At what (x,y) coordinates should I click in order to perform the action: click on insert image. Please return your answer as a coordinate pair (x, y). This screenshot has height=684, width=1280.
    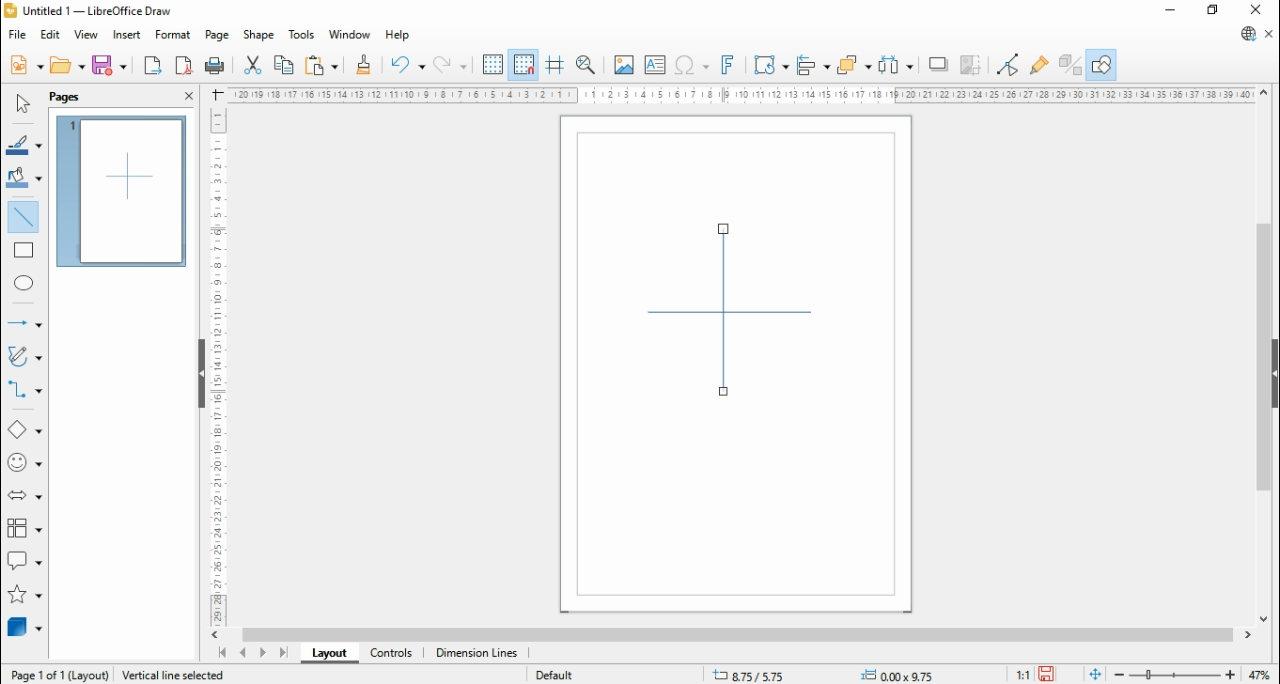
    Looking at the image, I should click on (623, 64).